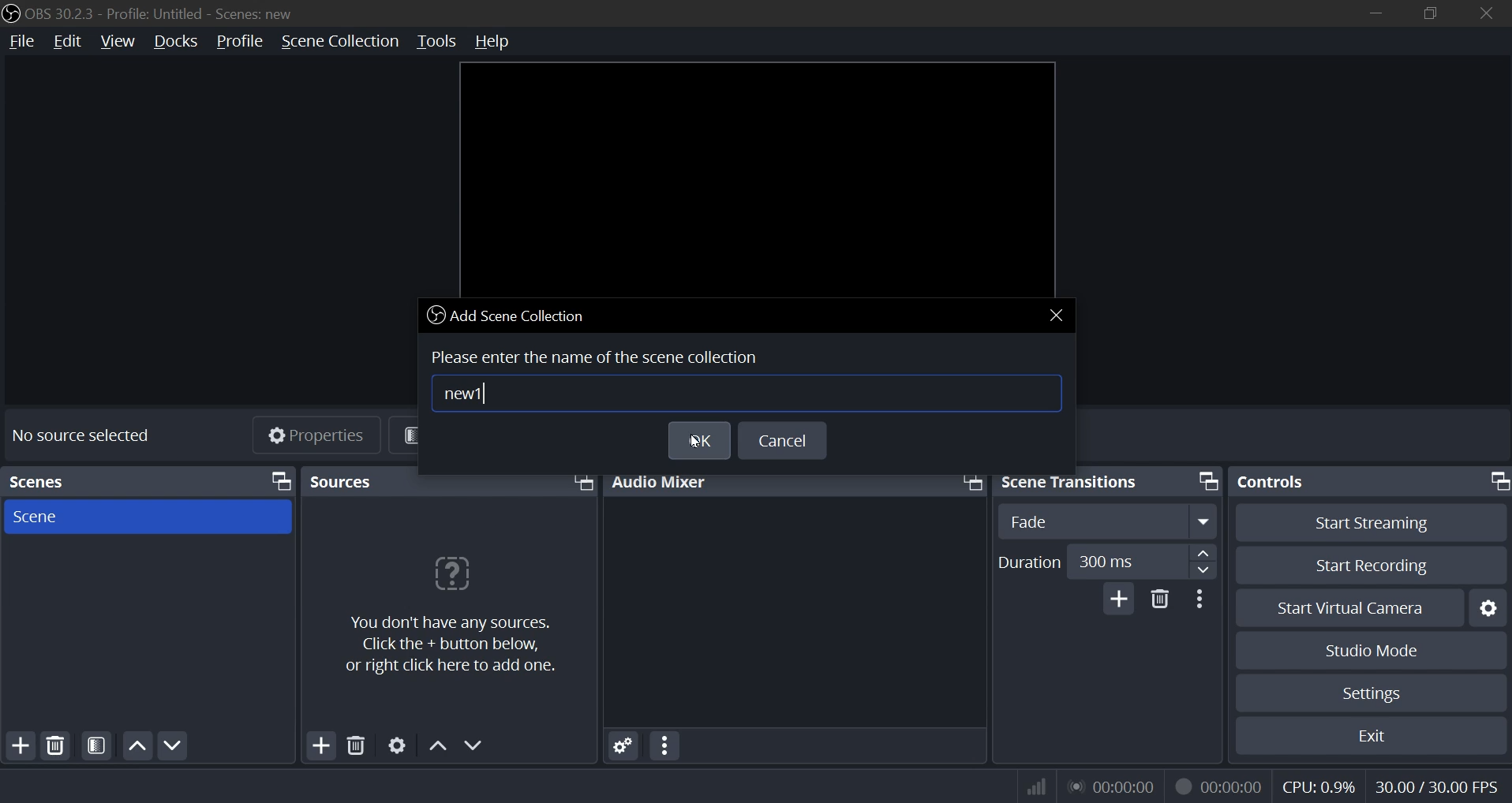 Image resolution: width=1512 pixels, height=803 pixels. I want to click on view, so click(119, 42).